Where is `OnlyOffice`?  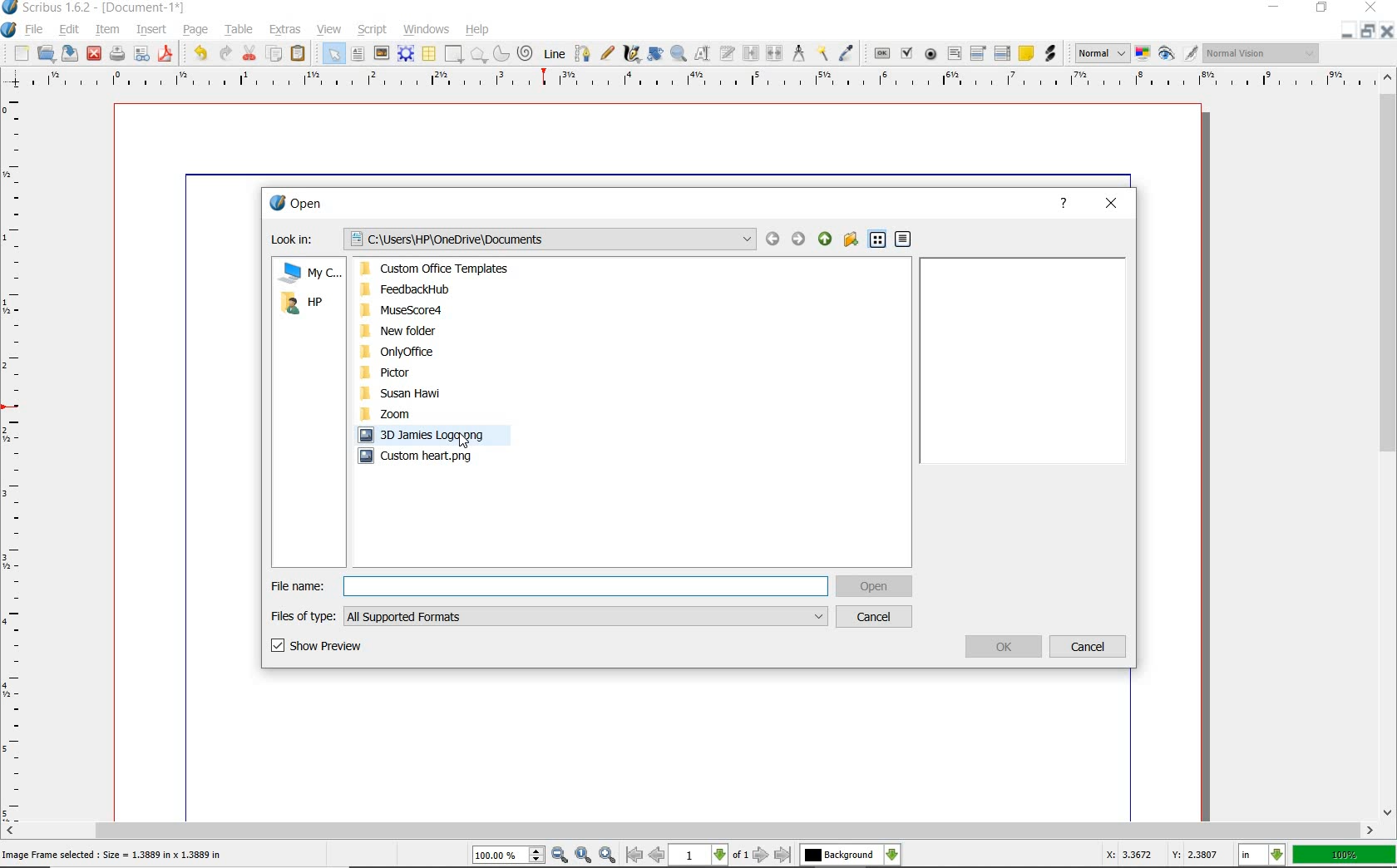
OnlyOffice is located at coordinates (442, 353).